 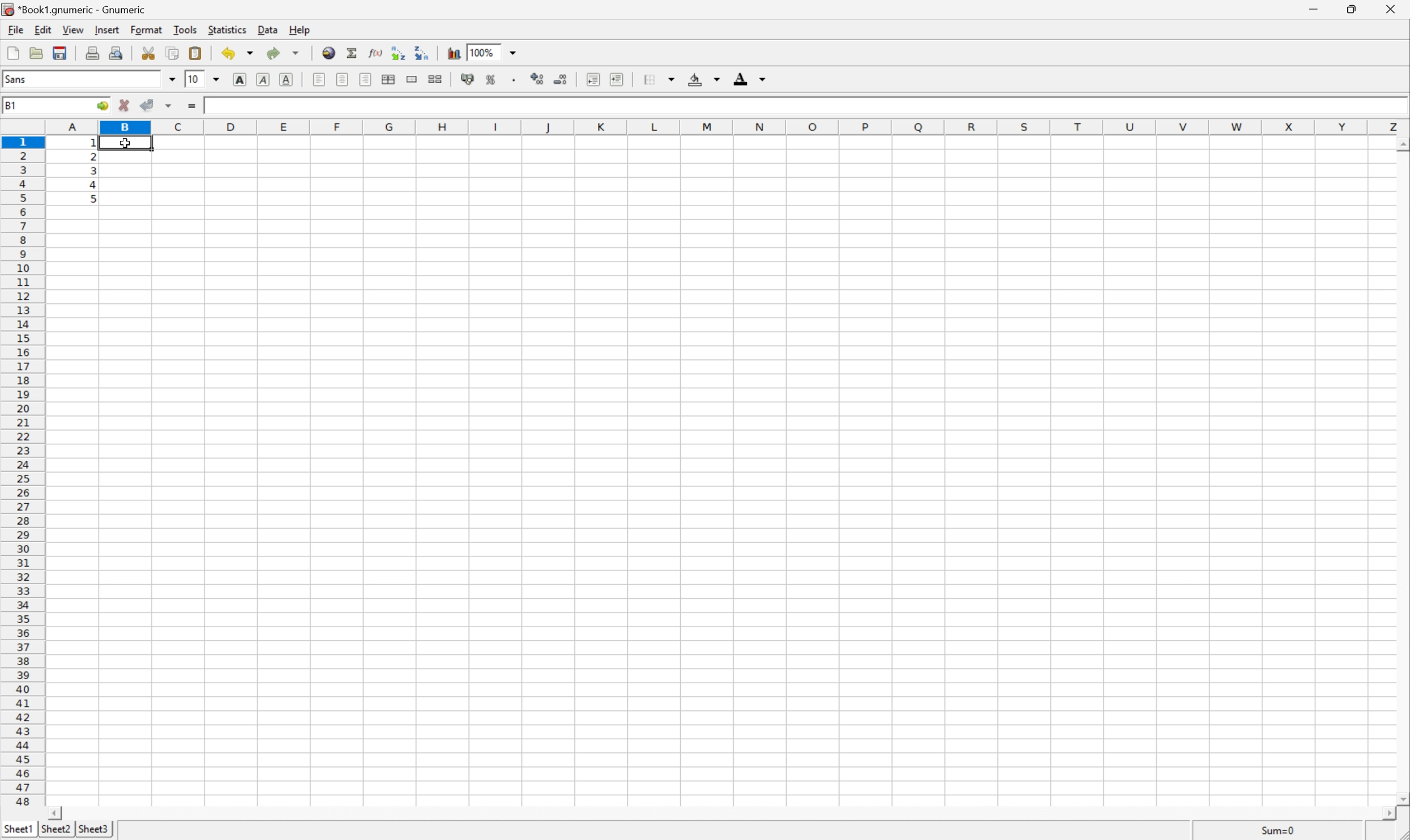 What do you see at coordinates (95, 829) in the screenshot?
I see `Sheet3` at bounding box center [95, 829].